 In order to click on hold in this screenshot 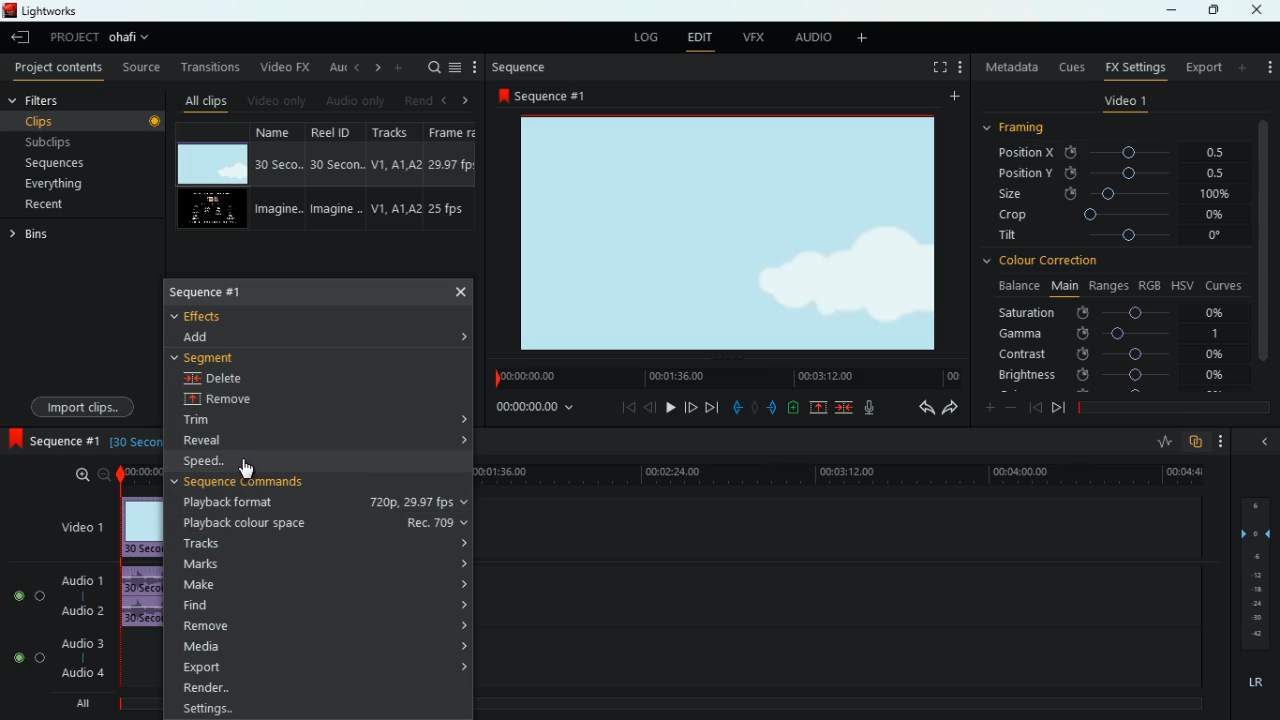, I will do `click(754, 406)`.